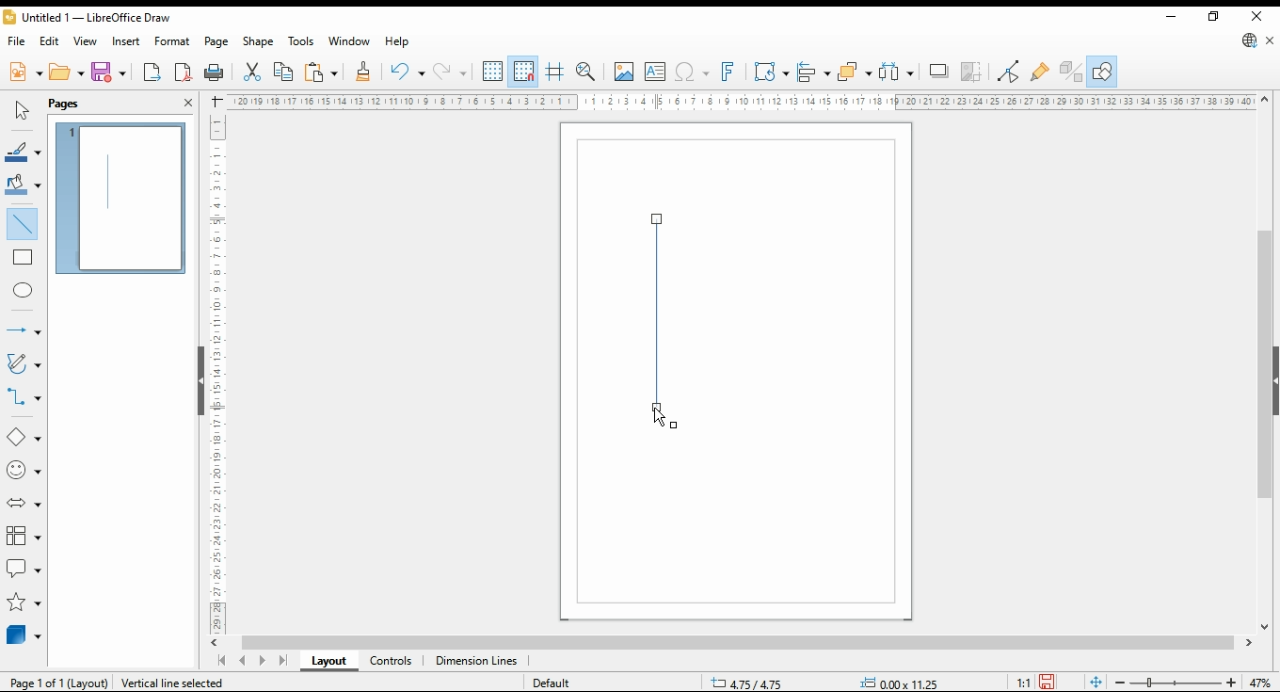  Describe the element at coordinates (19, 111) in the screenshot. I see `select` at that location.